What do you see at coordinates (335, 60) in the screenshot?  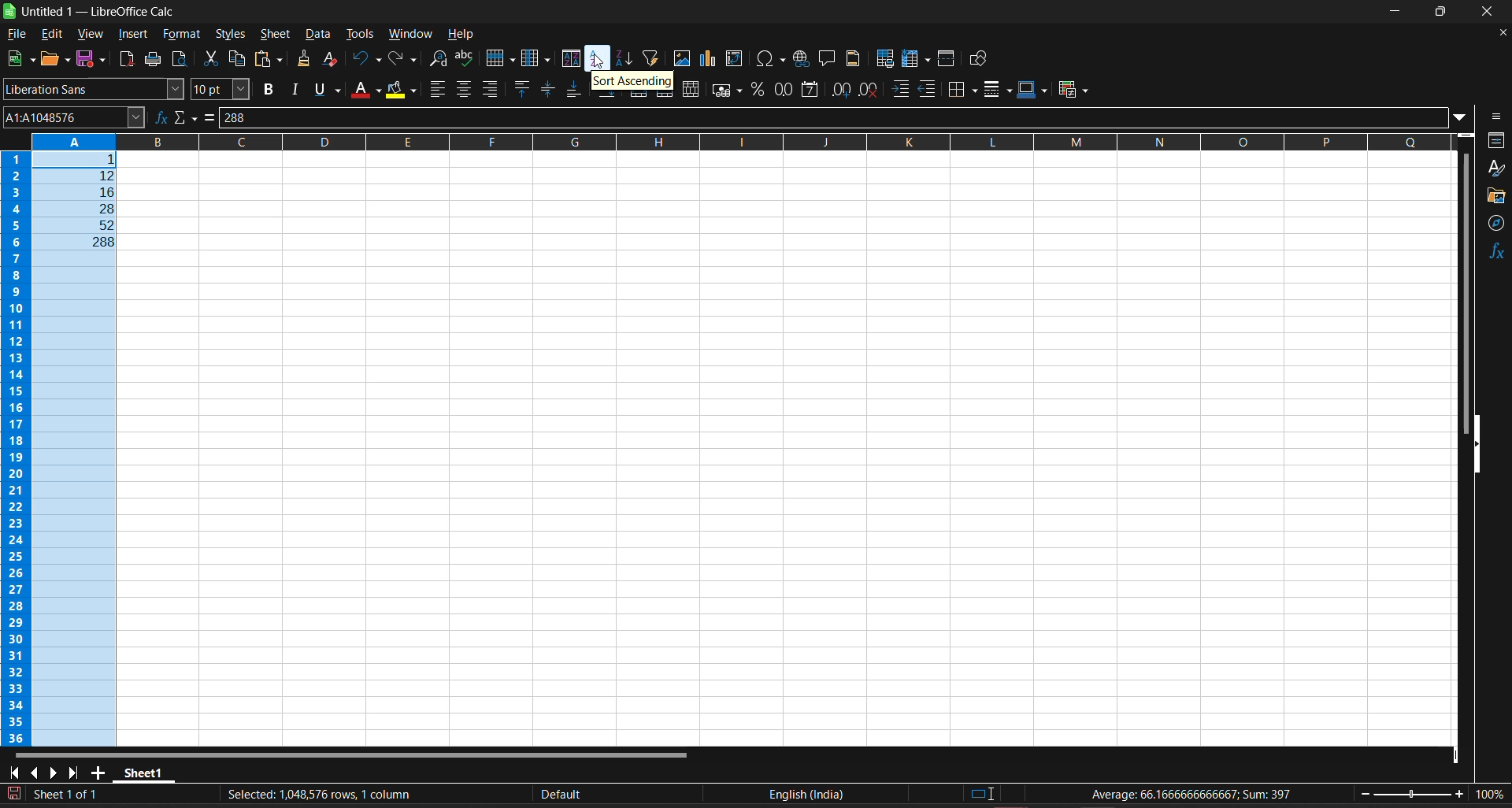 I see `clear direct formatting` at bounding box center [335, 60].